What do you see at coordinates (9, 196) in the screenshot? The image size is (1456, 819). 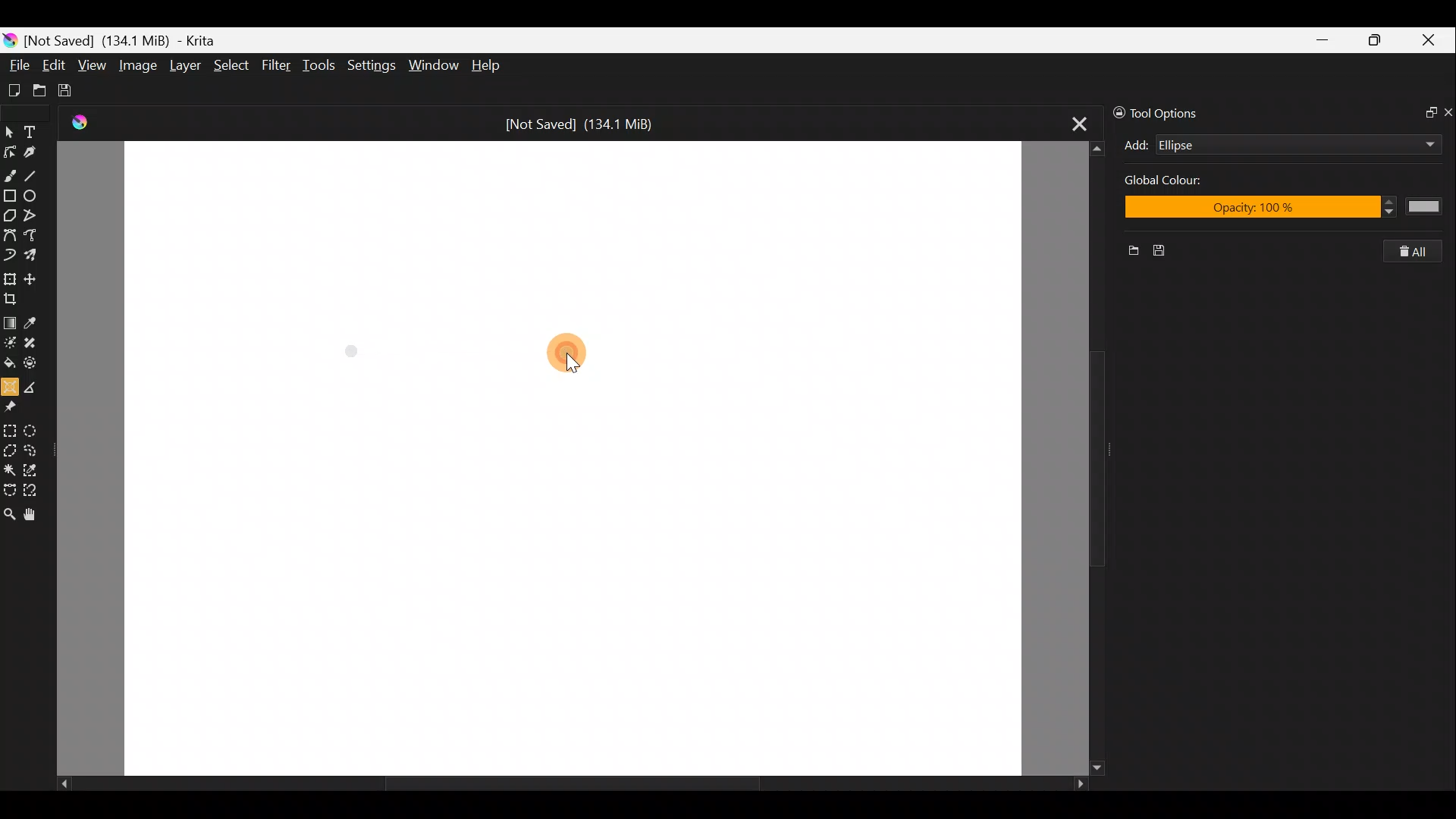 I see `Rectangle` at bounding box center [9, 196].